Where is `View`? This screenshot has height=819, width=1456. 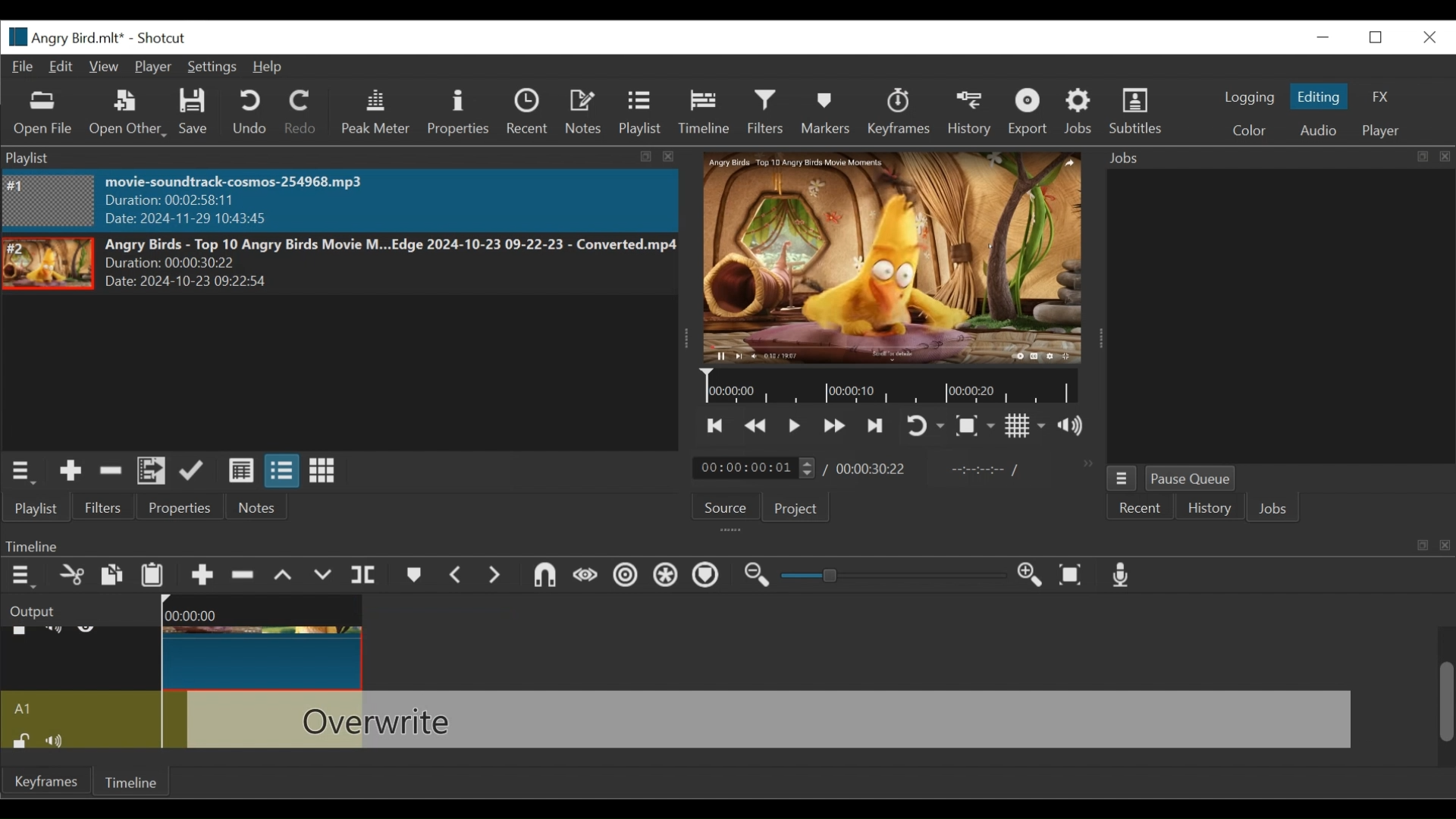
View is located at coordinates (104, 66).